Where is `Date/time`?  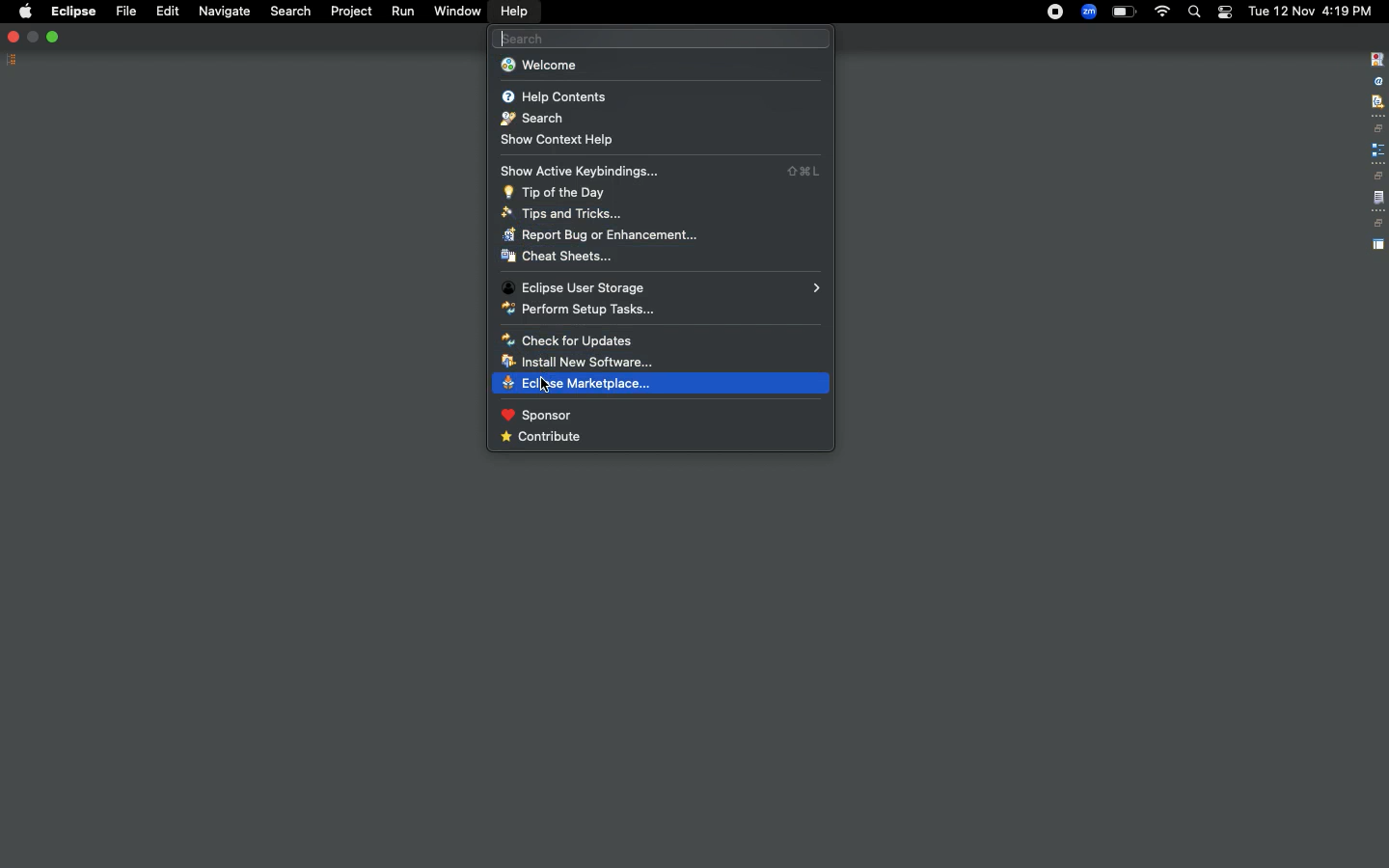 Date/time is located at coordinates (1312, 10).